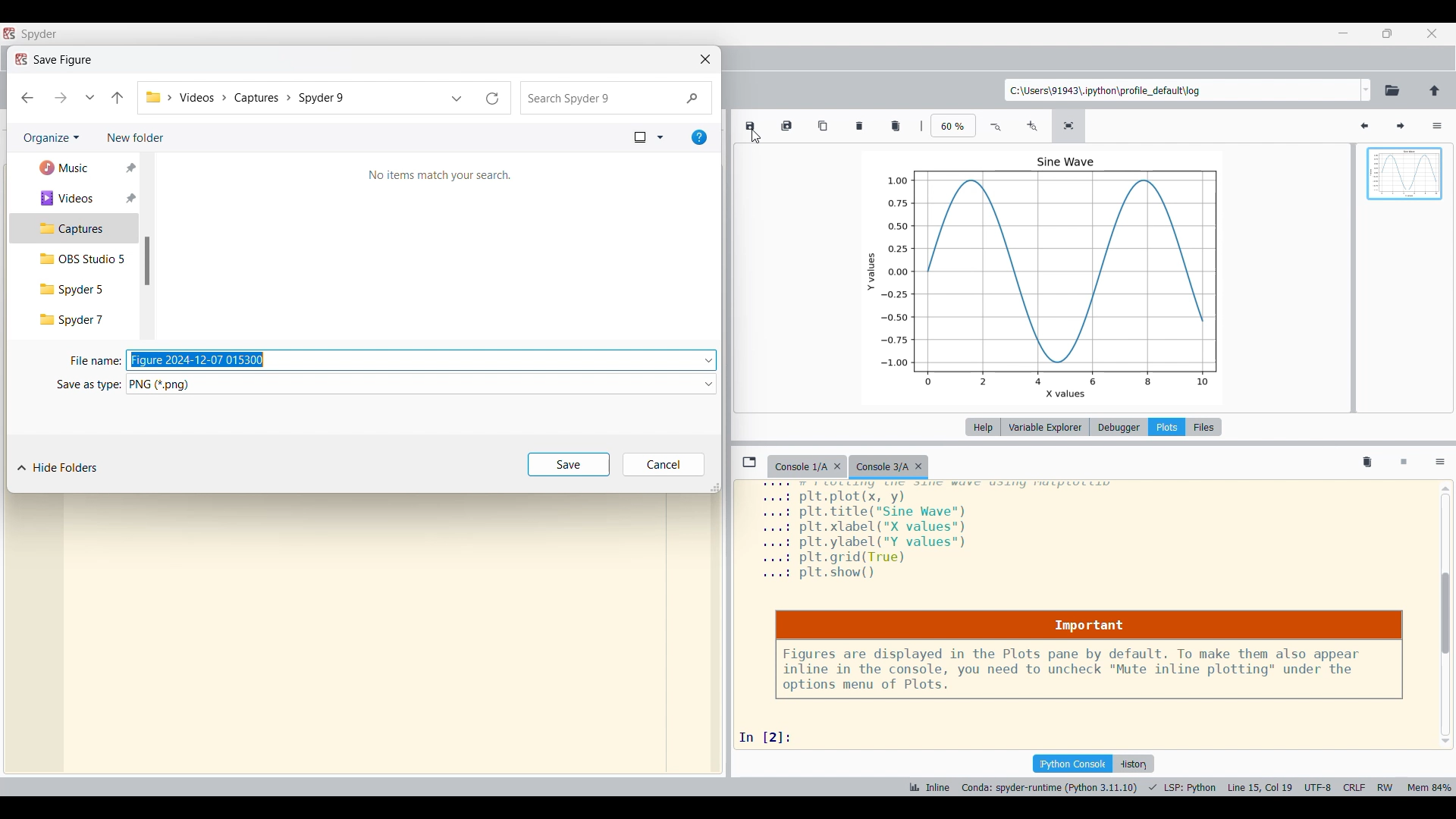 This screenshot has height=819, width=1456. I want to click on Show in smaller tab, so click(1387, 33).